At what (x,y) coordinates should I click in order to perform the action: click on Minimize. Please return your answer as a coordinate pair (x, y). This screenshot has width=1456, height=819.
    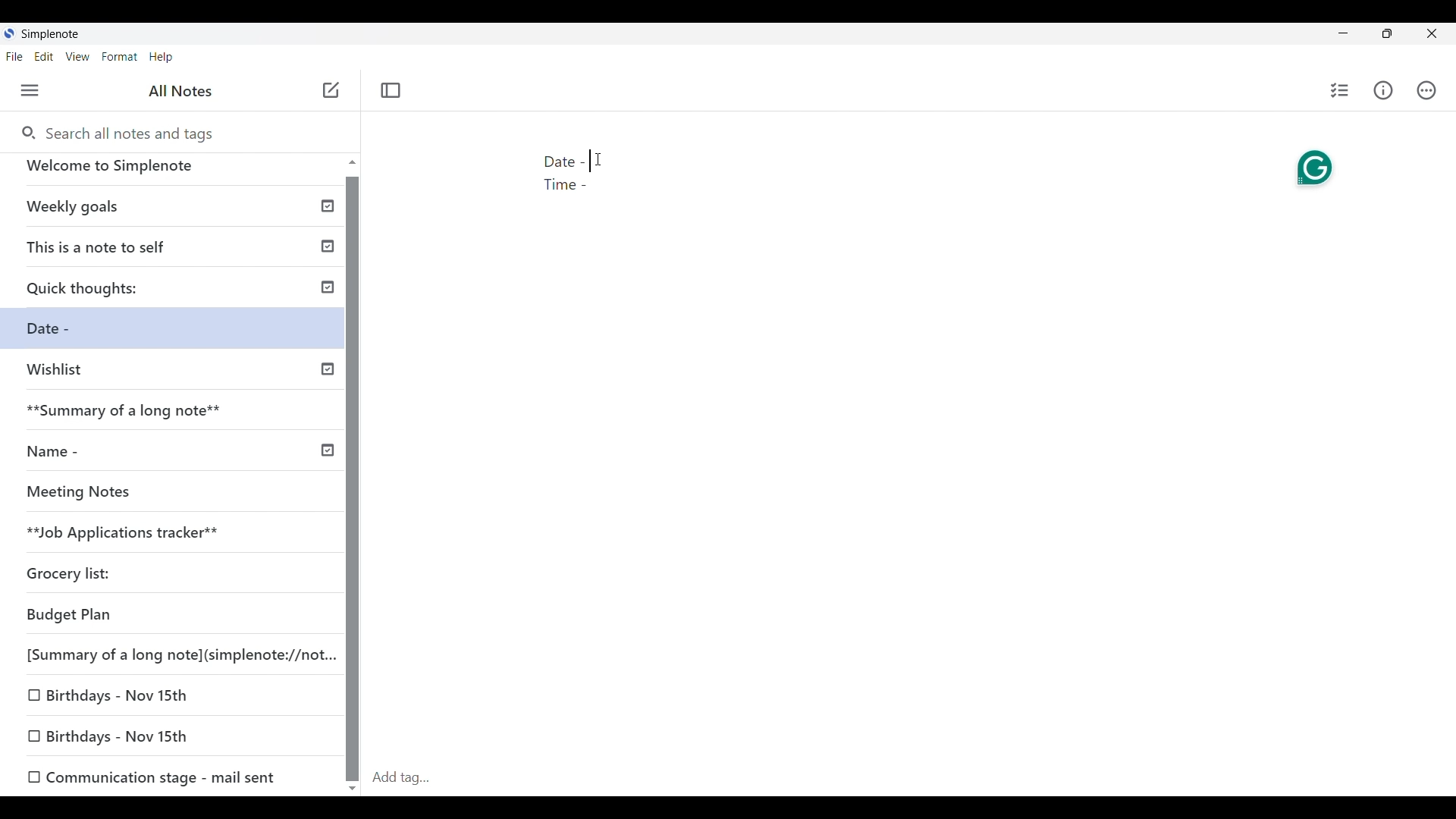
    Looking at the image, I should click on (1343, 33).